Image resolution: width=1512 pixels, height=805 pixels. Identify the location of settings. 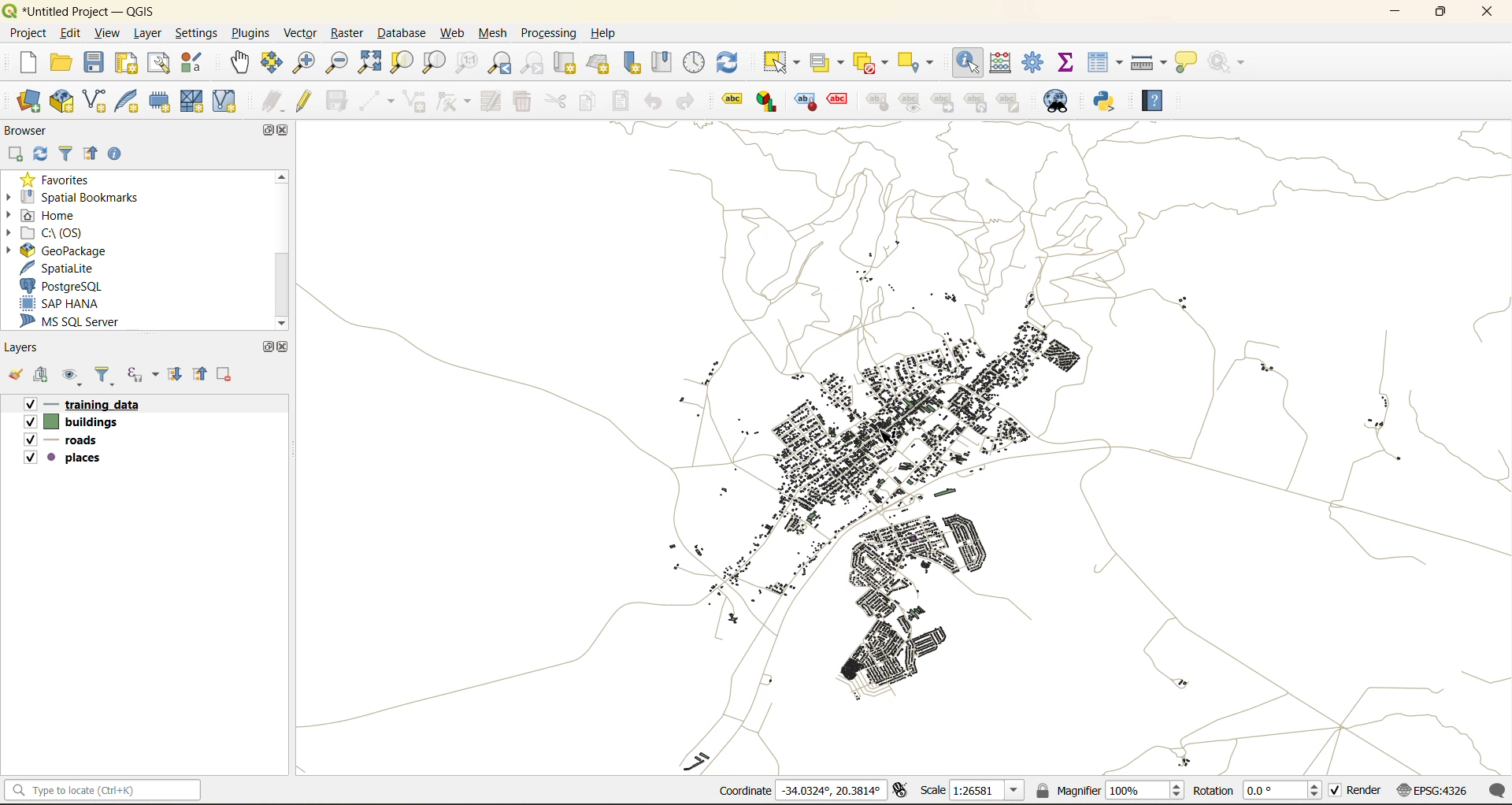
(197, 33).